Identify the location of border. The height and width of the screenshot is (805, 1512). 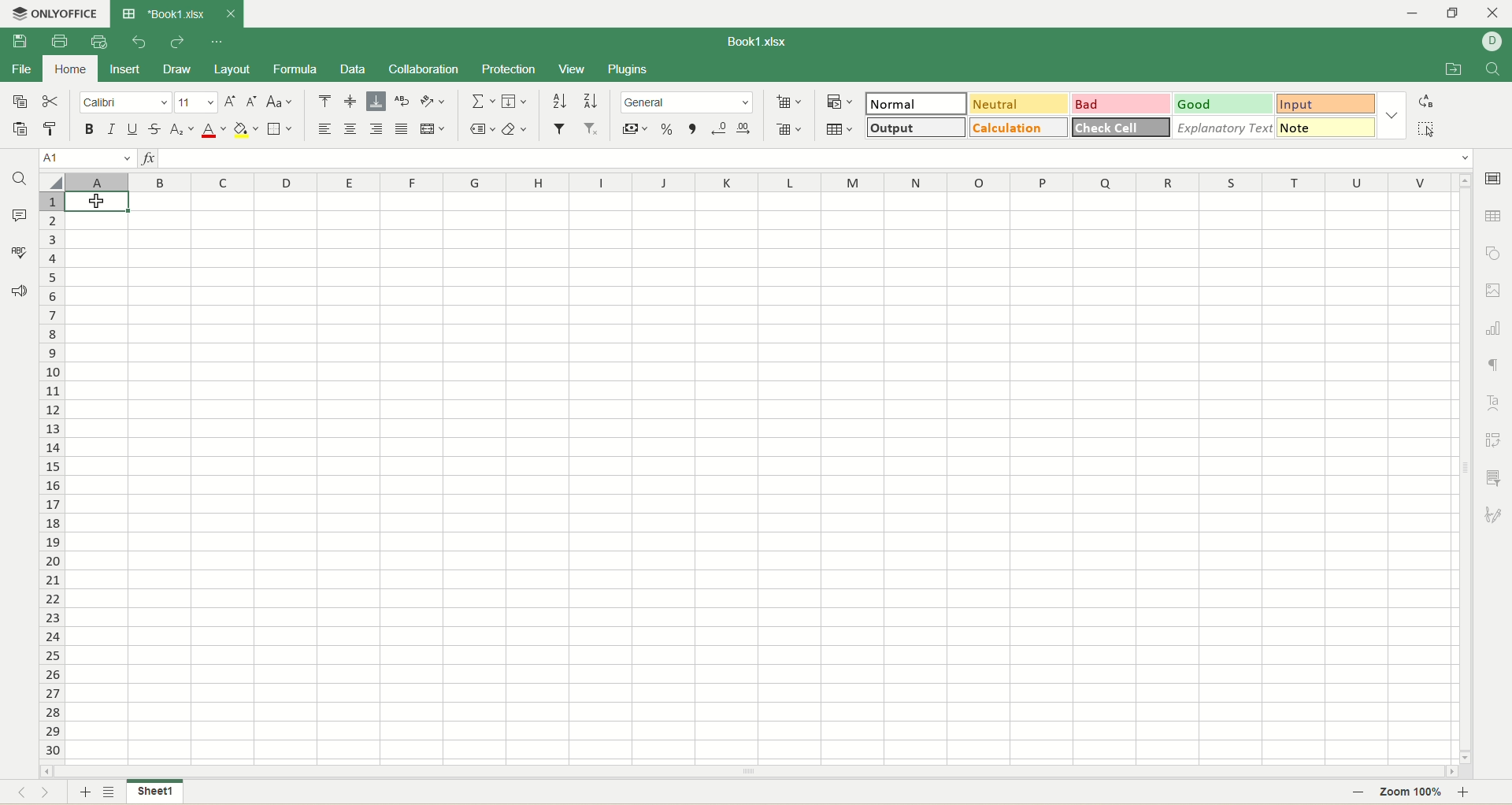
(278, 130).